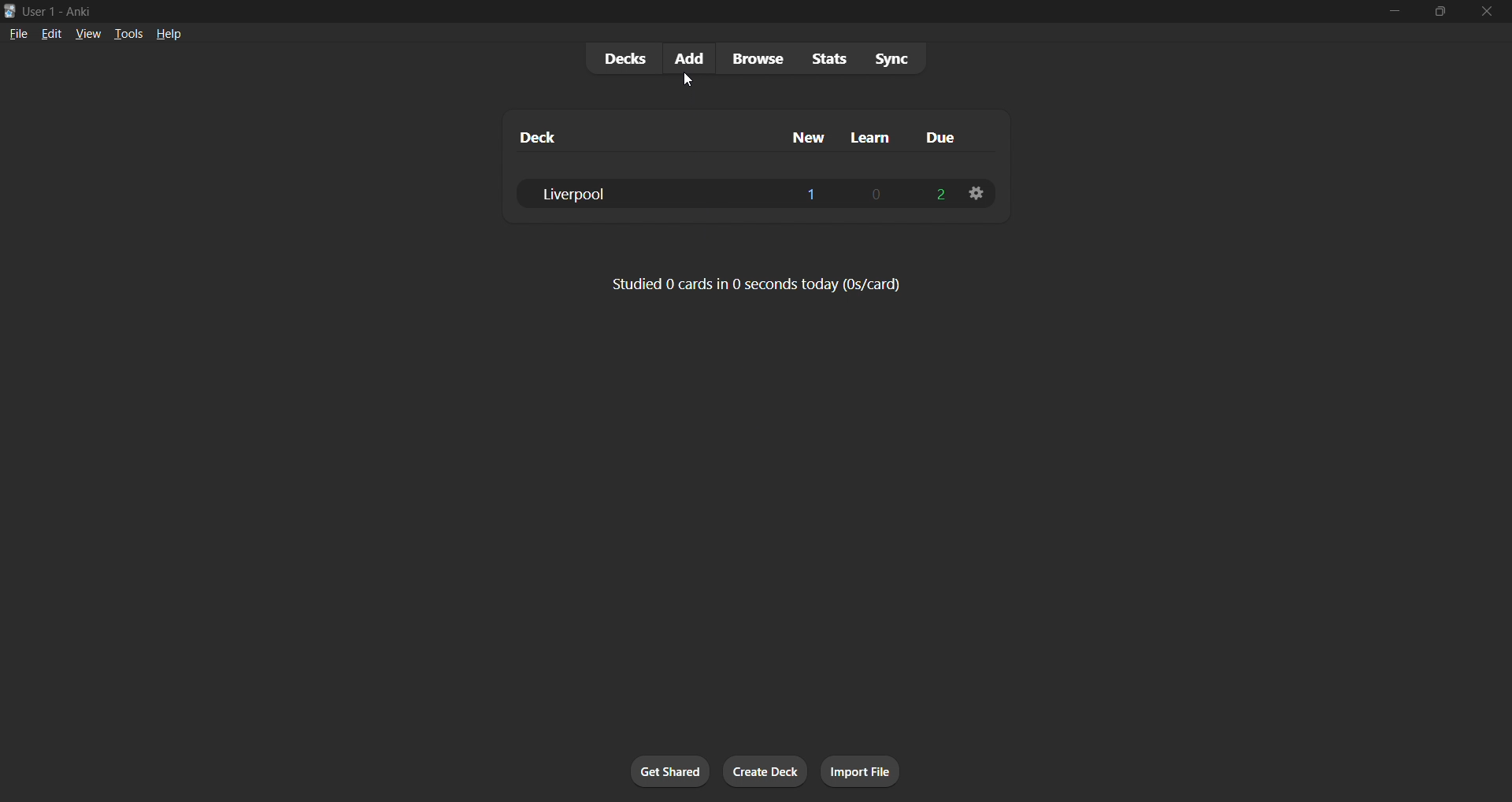 The height and width of the screenshot is (802, 1512). What do you see at coordinates (864, 771) in the screenshot?
I see `import file` at bounding box center [864, 771].